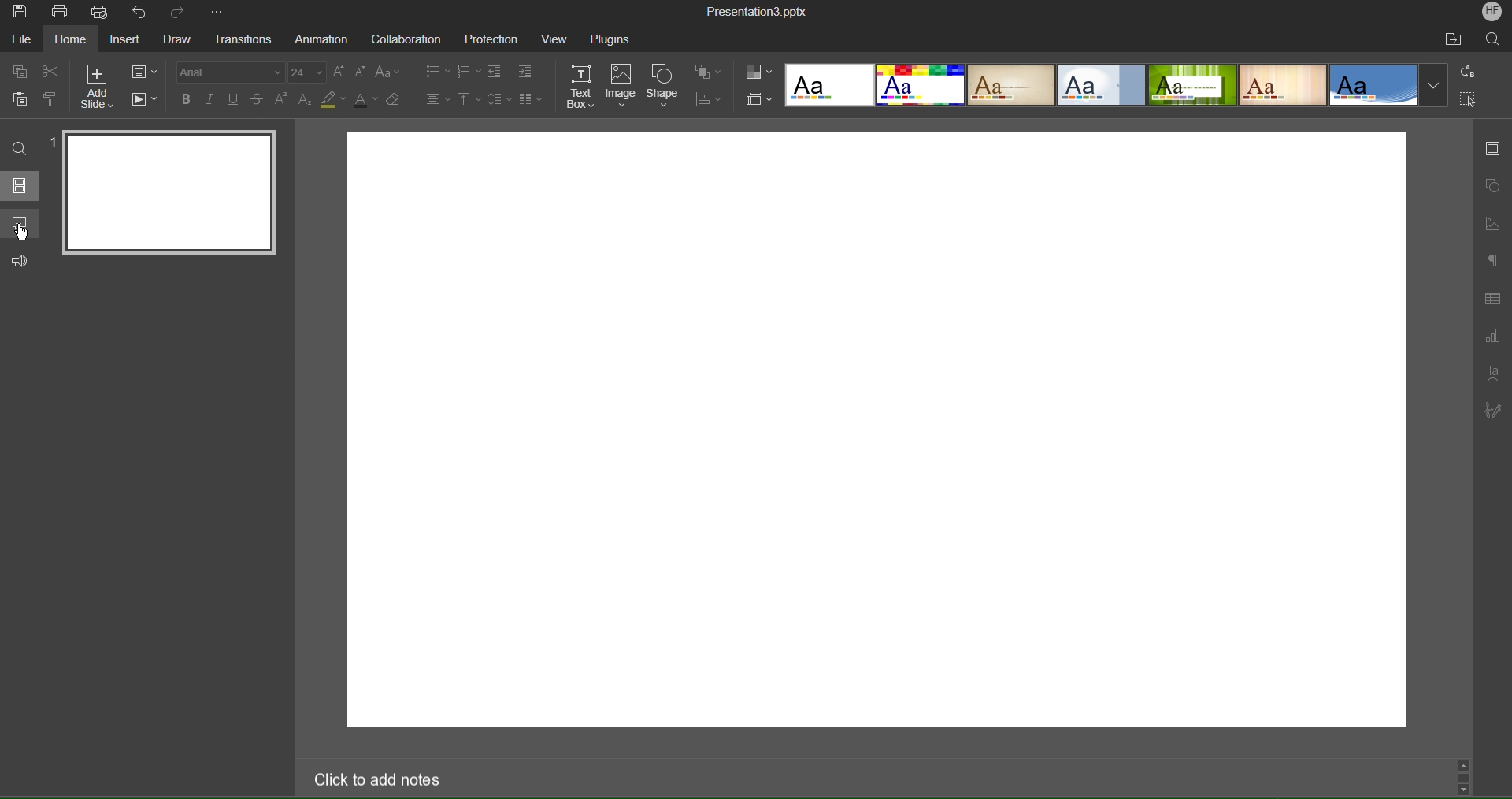  What do you see at coordinates (100, 87) in the screenshot?
I see `Add Slide` at bounding box center [100, 87].